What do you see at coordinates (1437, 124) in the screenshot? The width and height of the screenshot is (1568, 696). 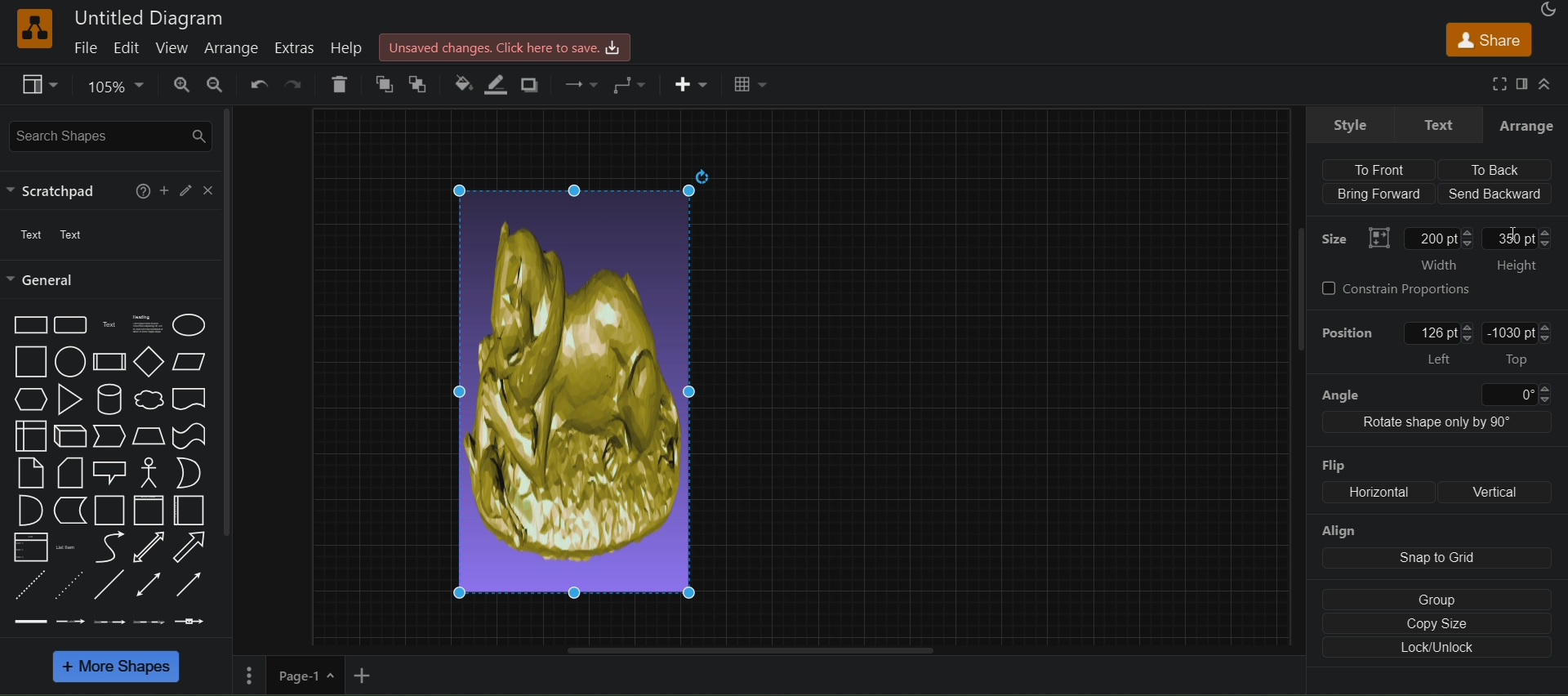 I see `text` at bounding box center [1437, 124].